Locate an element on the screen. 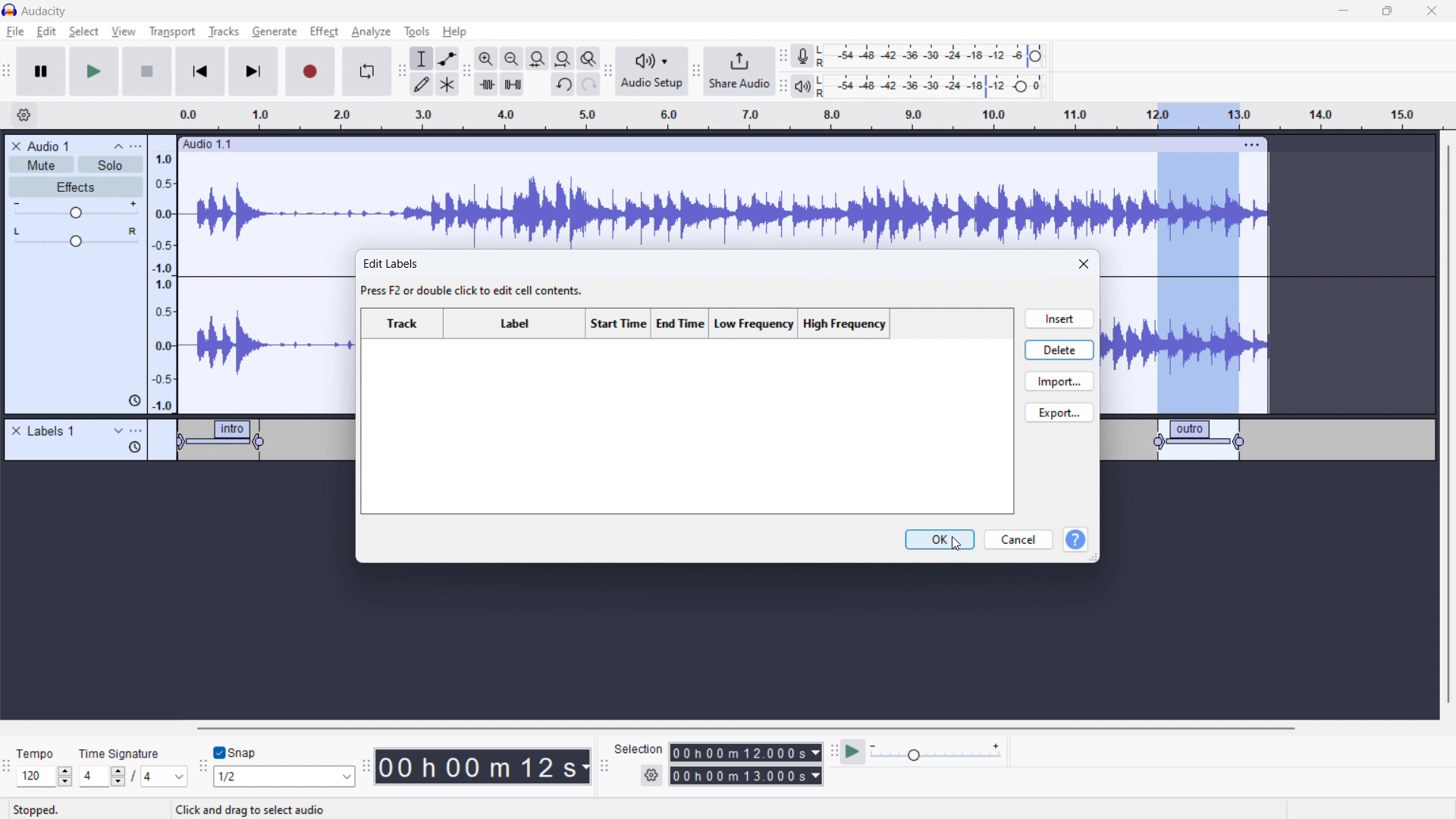  label is located at coordinates (514, 323).